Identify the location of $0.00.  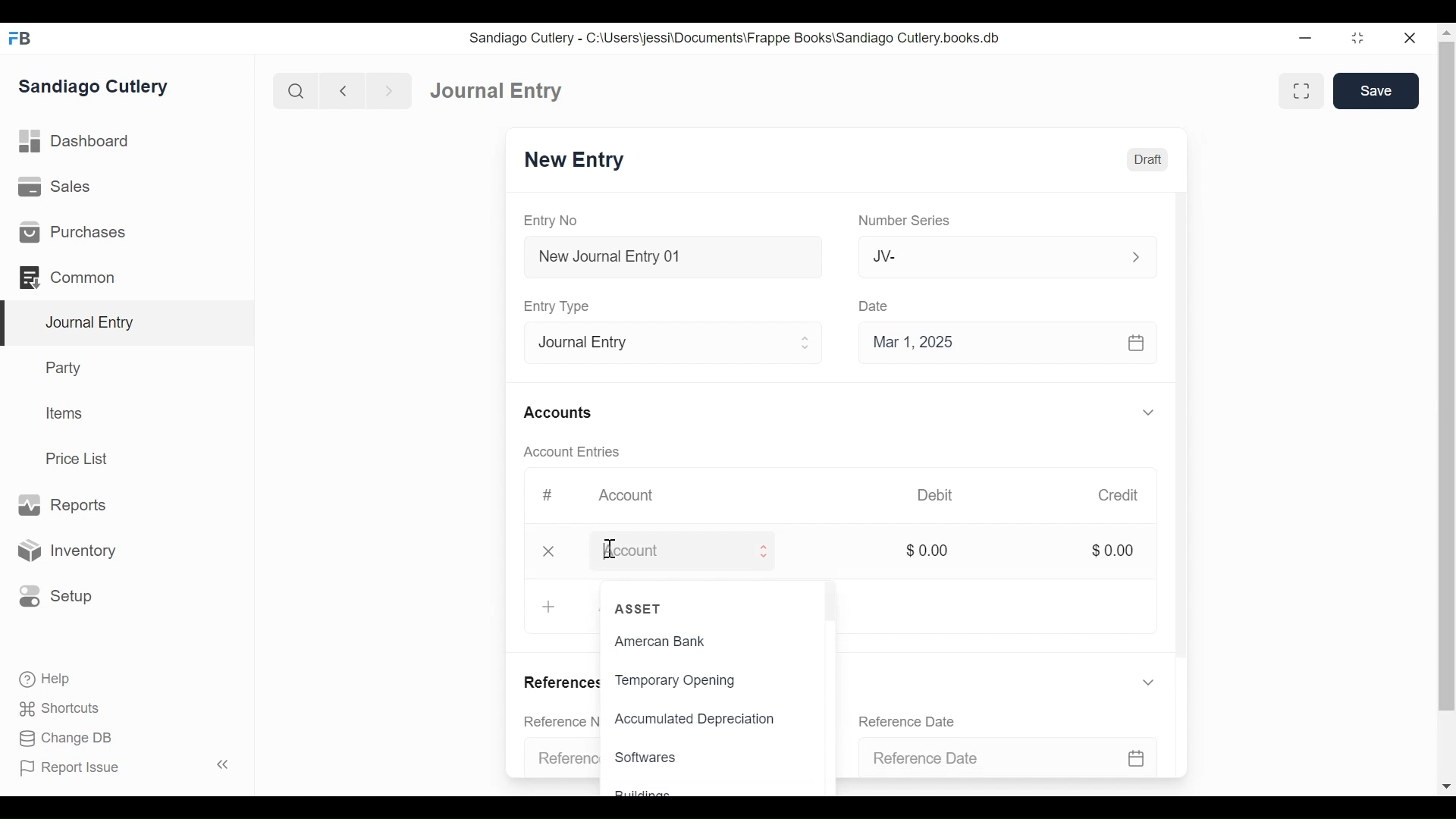
(937, 550).